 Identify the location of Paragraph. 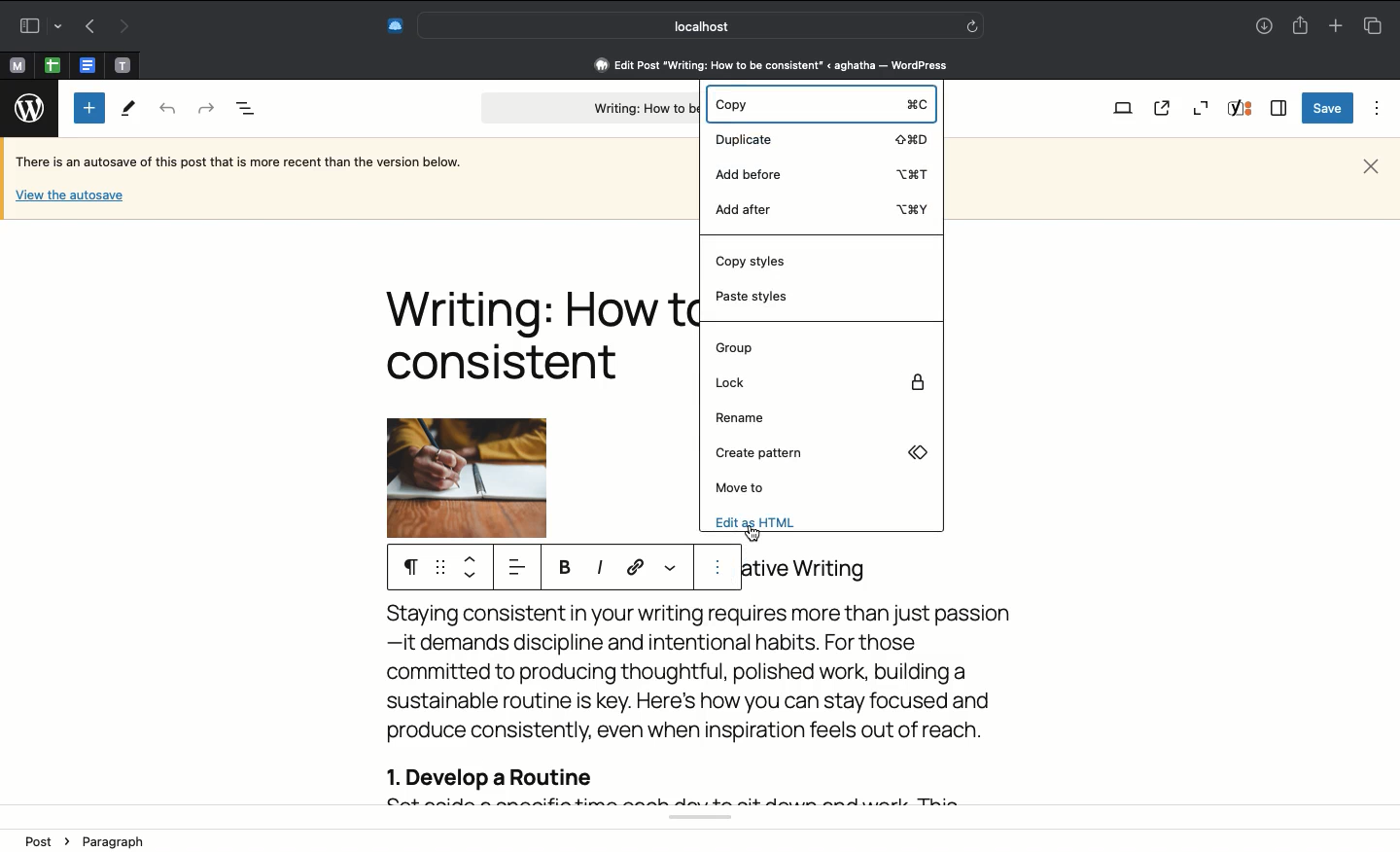
(112, 841).